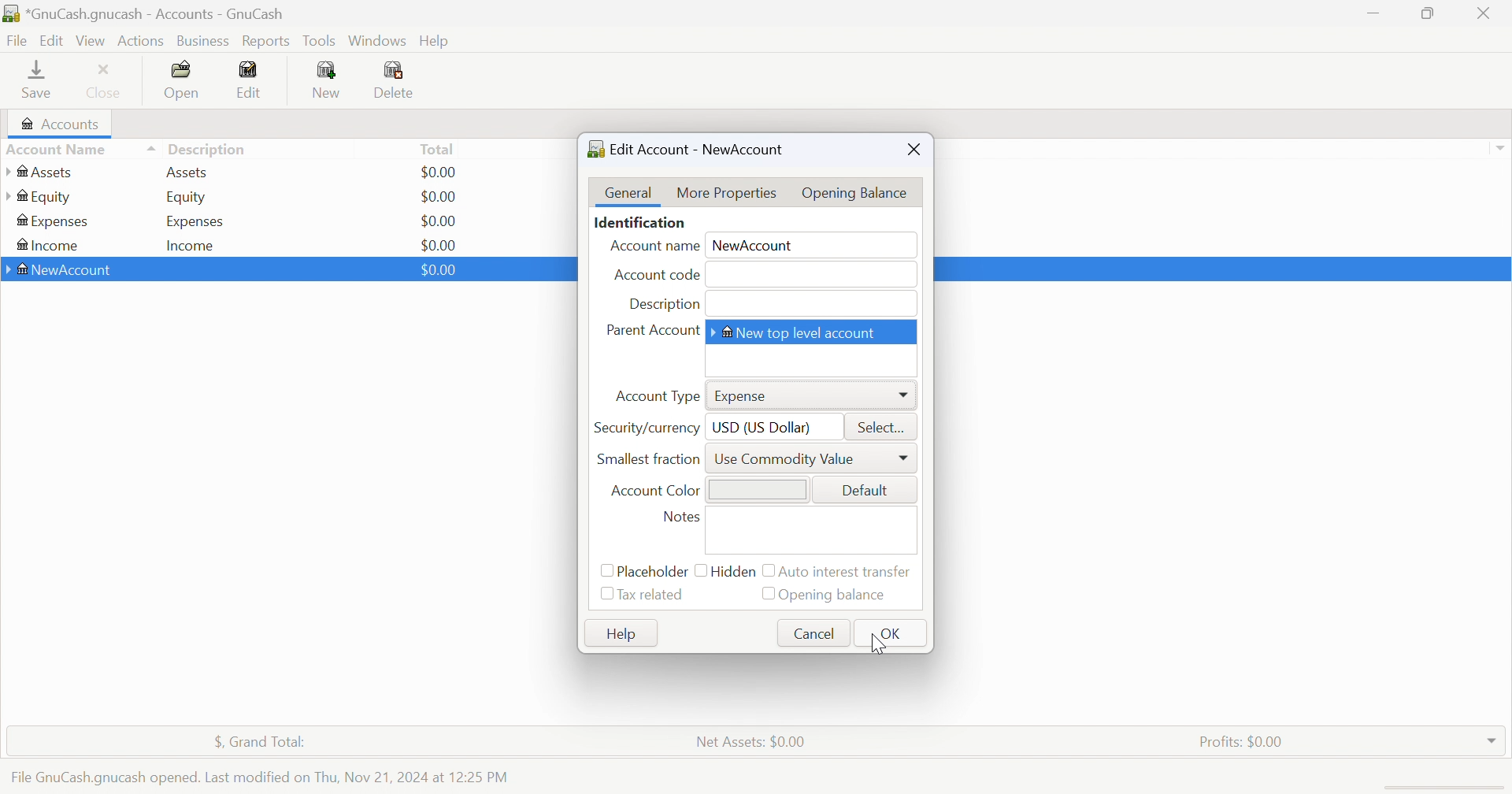  Describe the element at coordinates (187, 172) in the screenshot. I see `Assets` at that location.